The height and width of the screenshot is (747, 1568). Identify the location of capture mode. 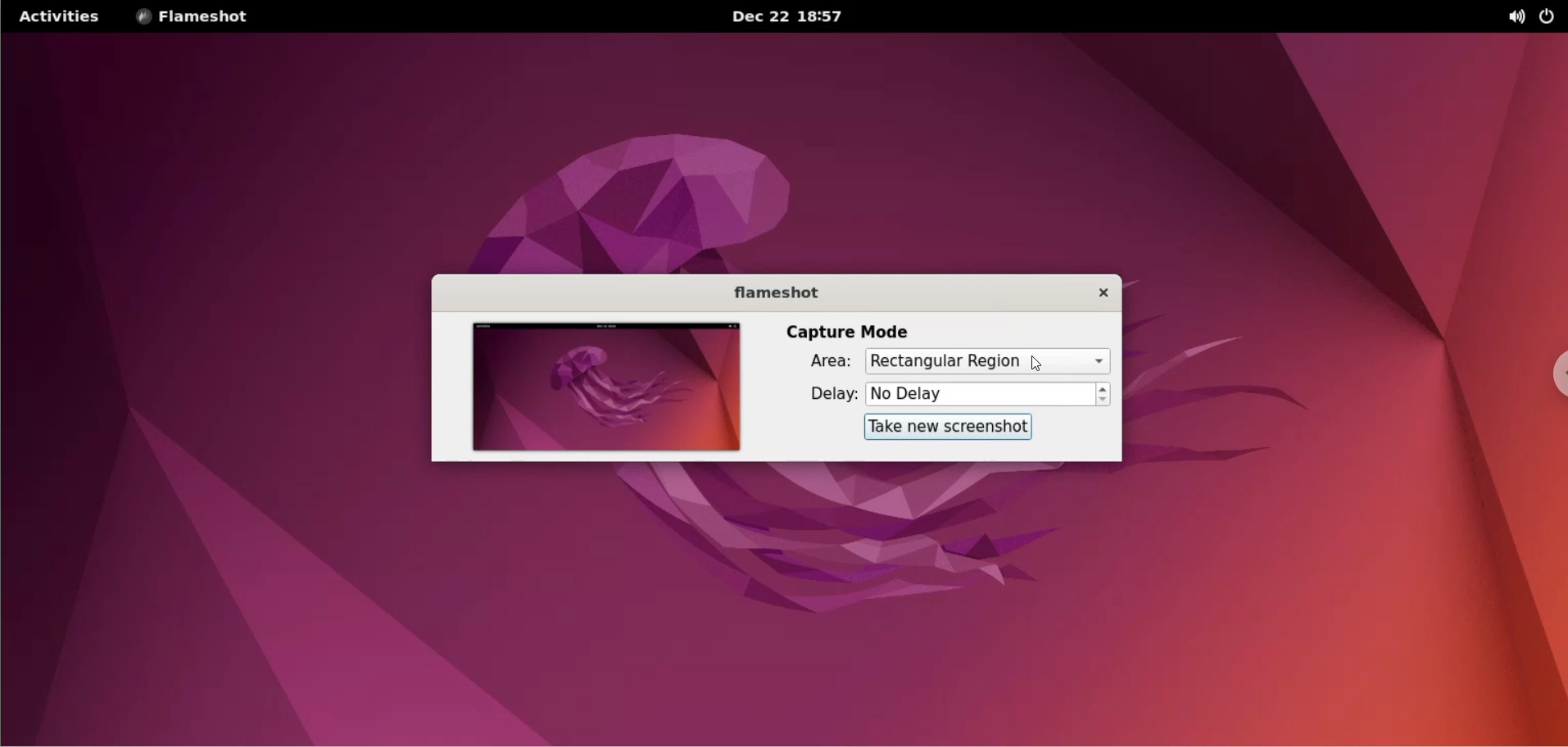
(850, 330).